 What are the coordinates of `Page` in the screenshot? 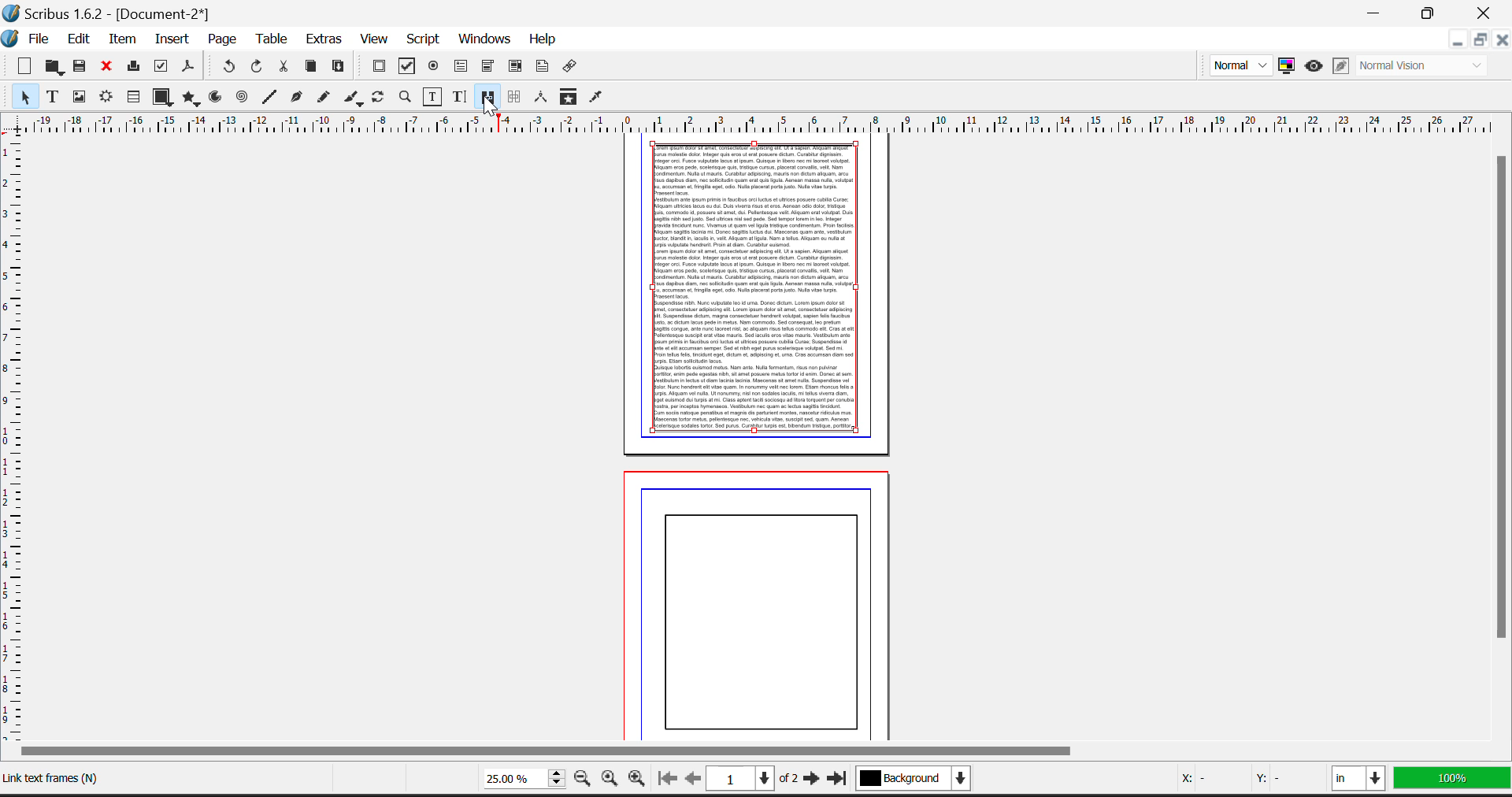 It's located at (222, 39).